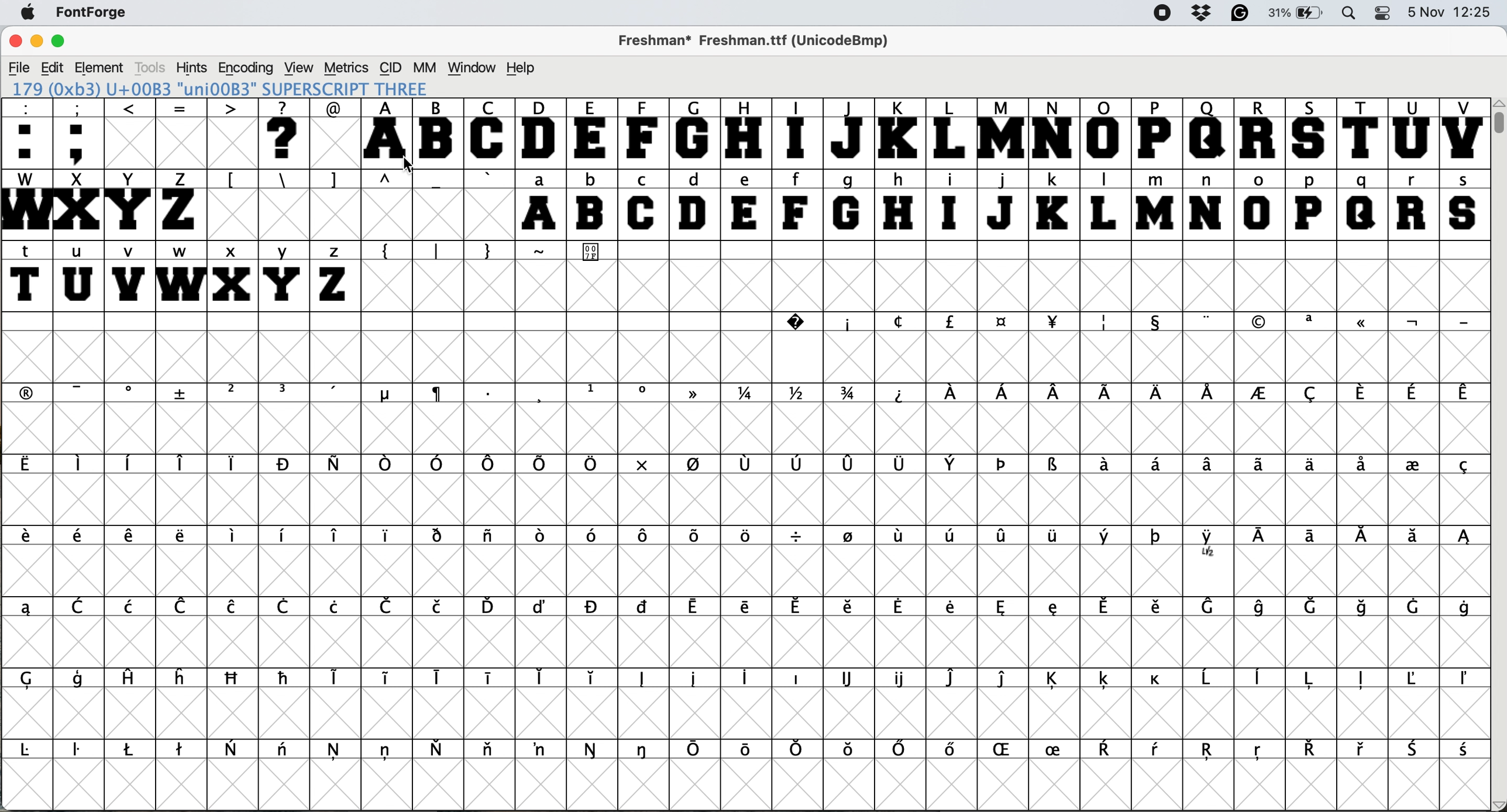  What do you see at coordinates (648, 679) in the screenshot?
I see `symbol` at bounding box center [648, 679].